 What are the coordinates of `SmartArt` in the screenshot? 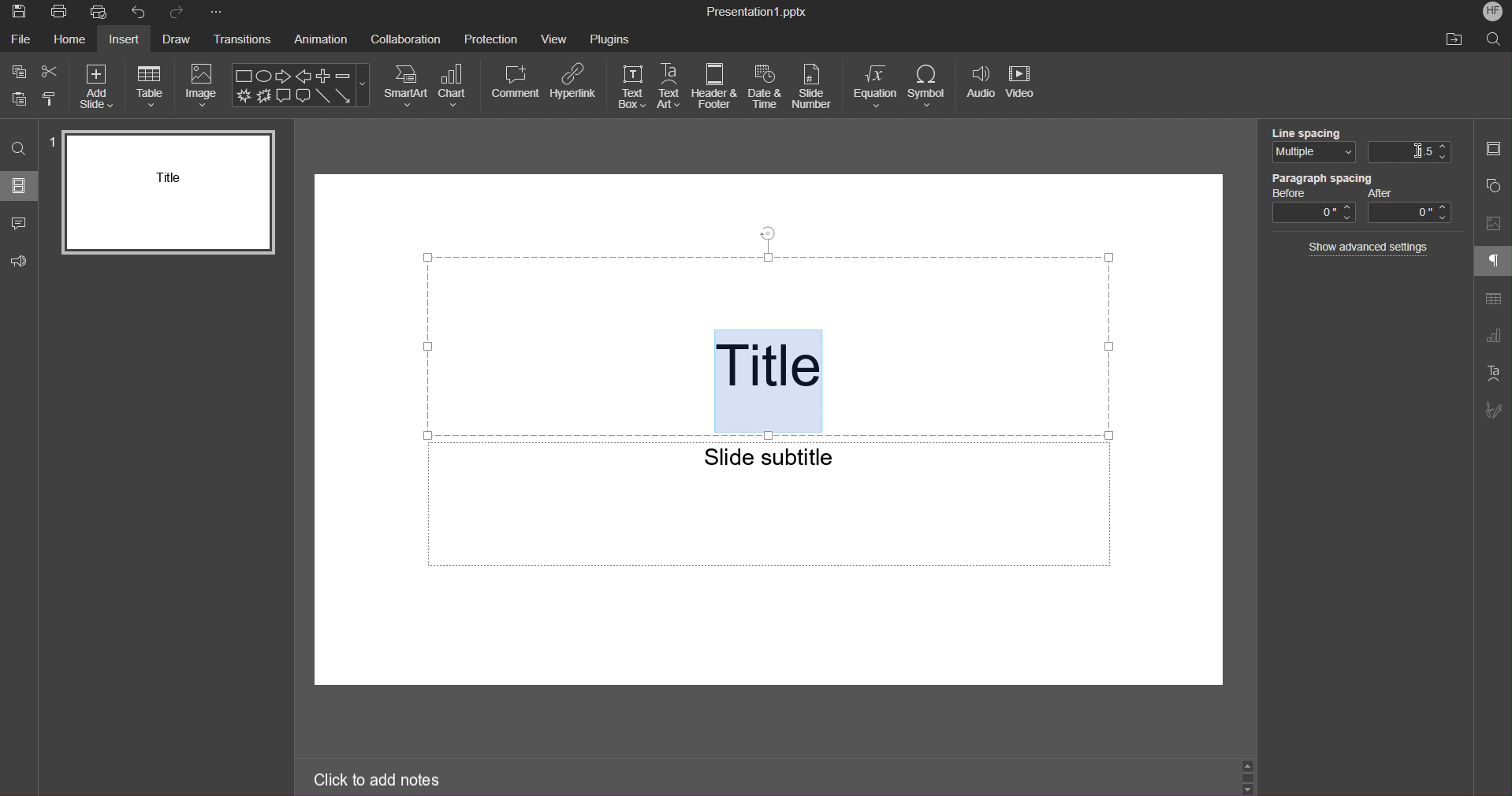 It's located at (405, 87).